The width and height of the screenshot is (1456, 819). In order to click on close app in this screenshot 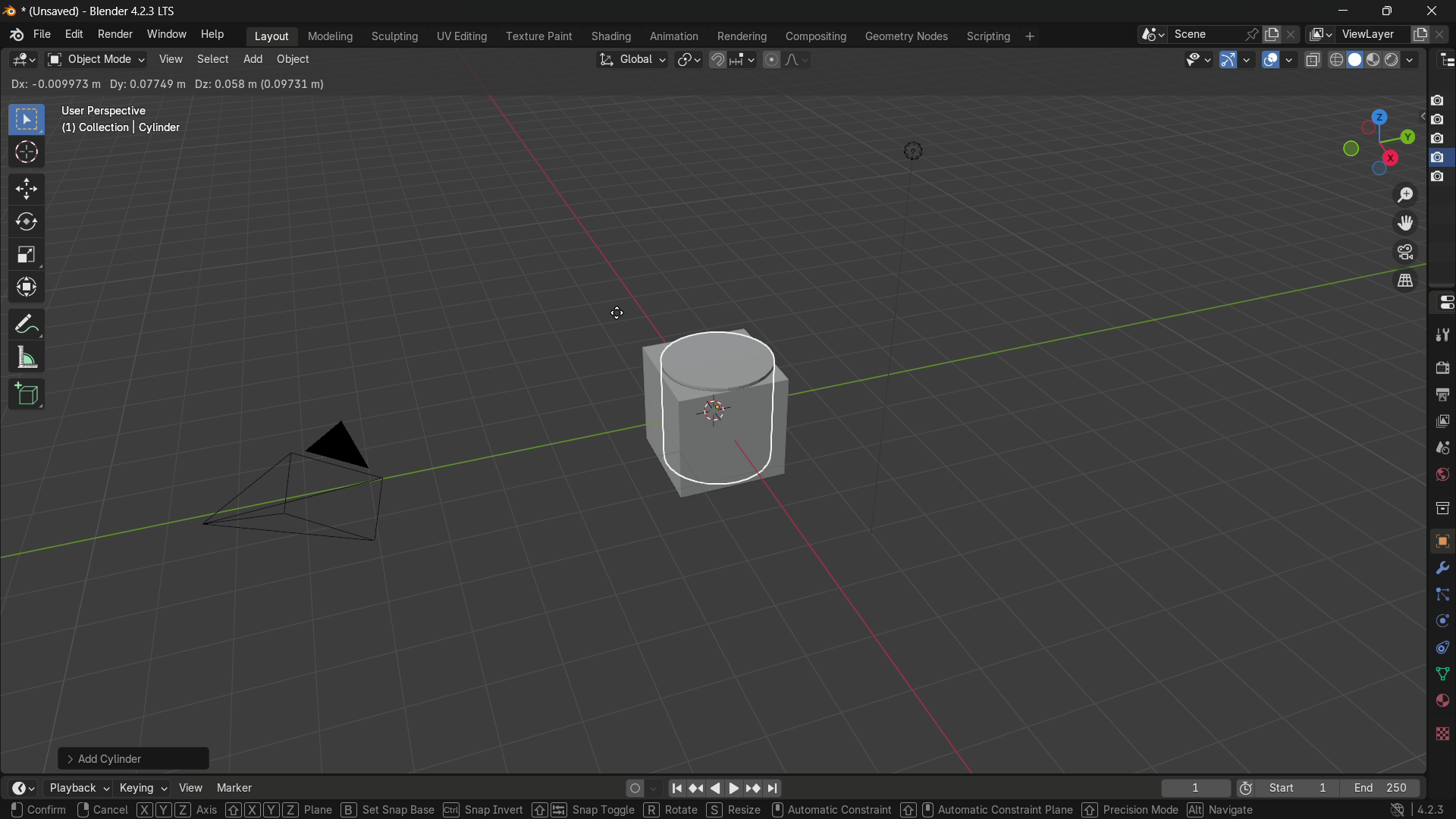, I will do `click(1427, 11)`.